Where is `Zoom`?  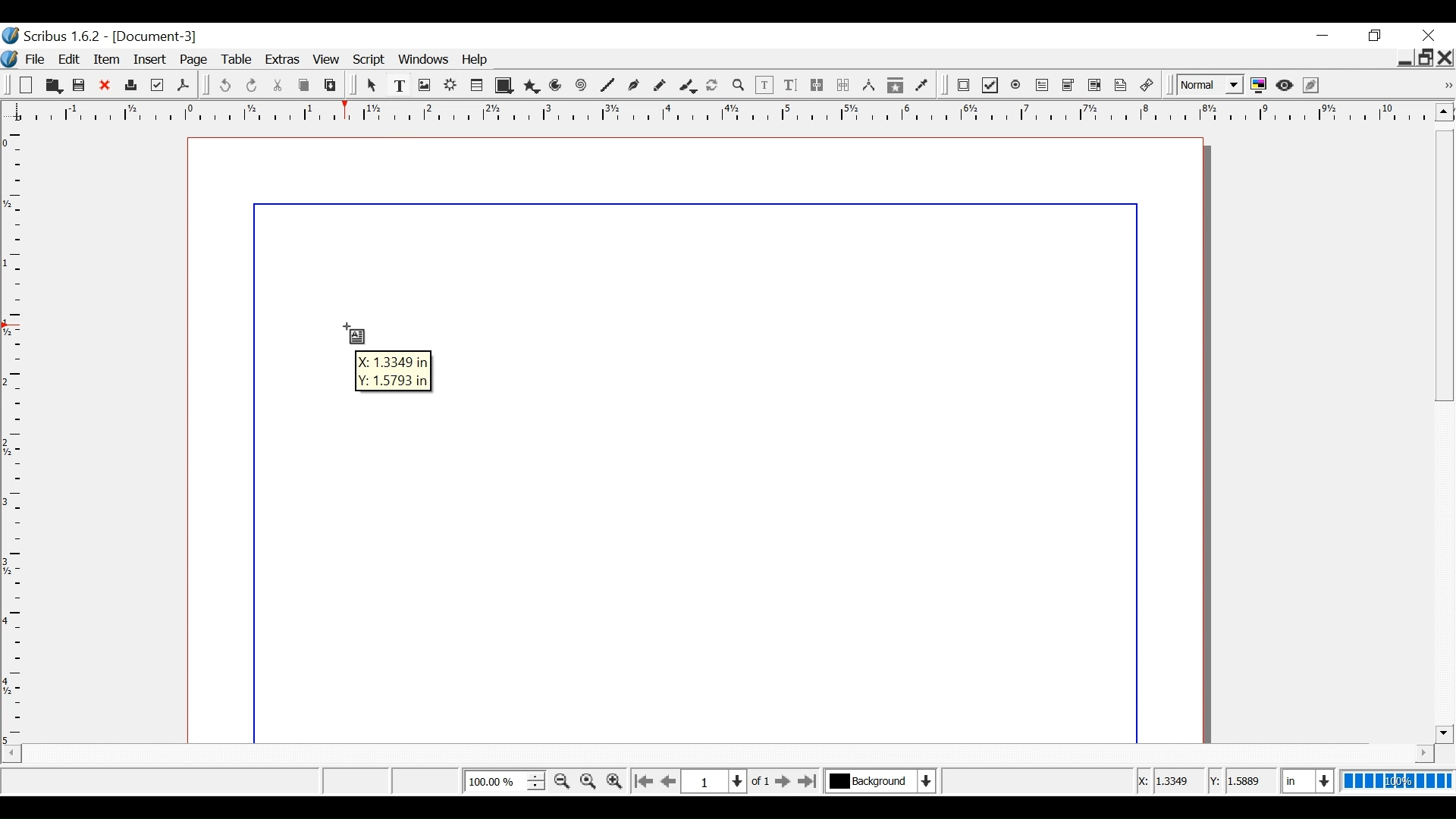 Zoom is located at coordinates (739, 87).